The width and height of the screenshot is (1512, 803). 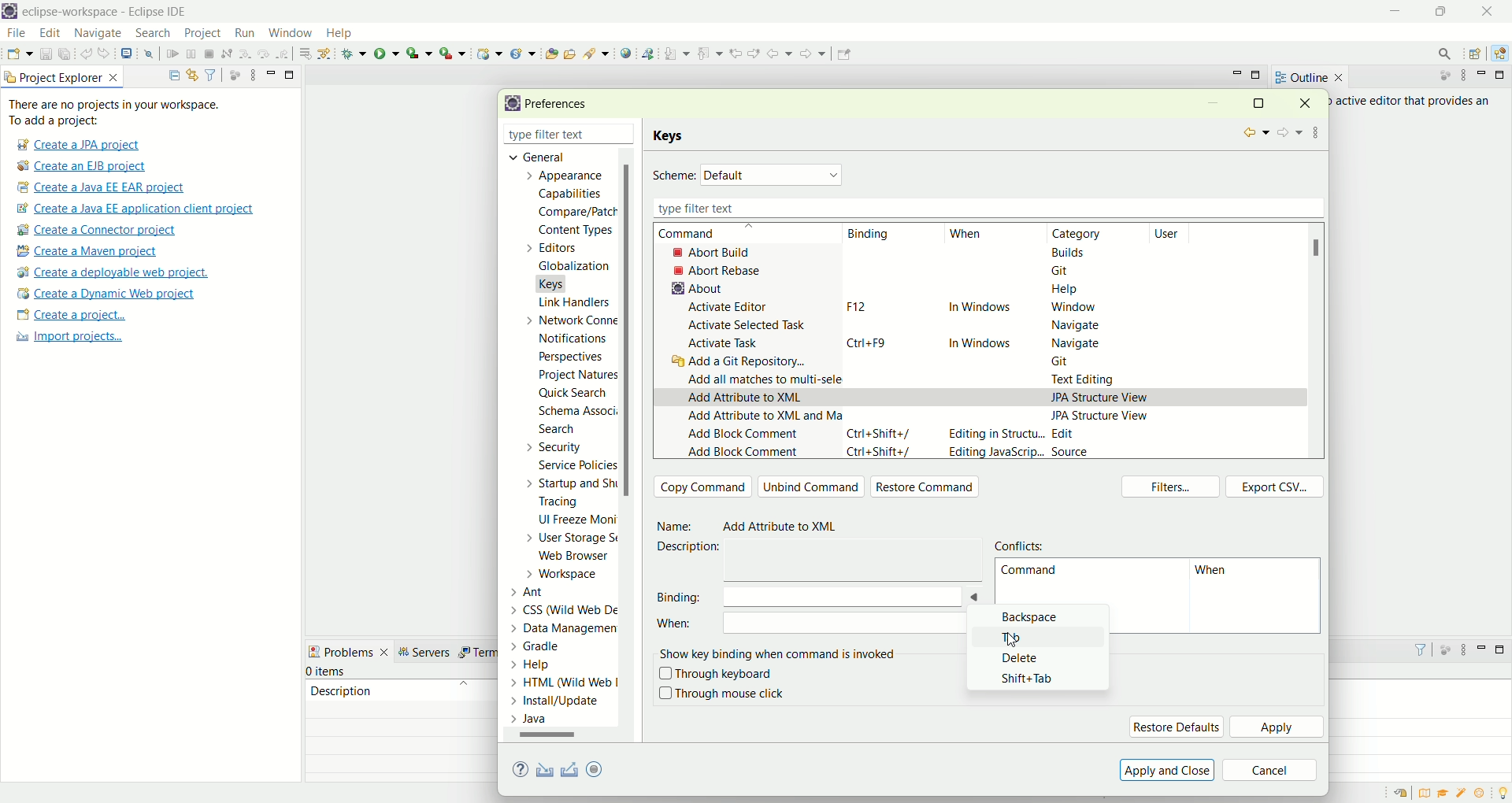 What do you see at coordinates (1444, 649) in the screenshot?
I see `focus on active task` at bounding box center [1444, 649].